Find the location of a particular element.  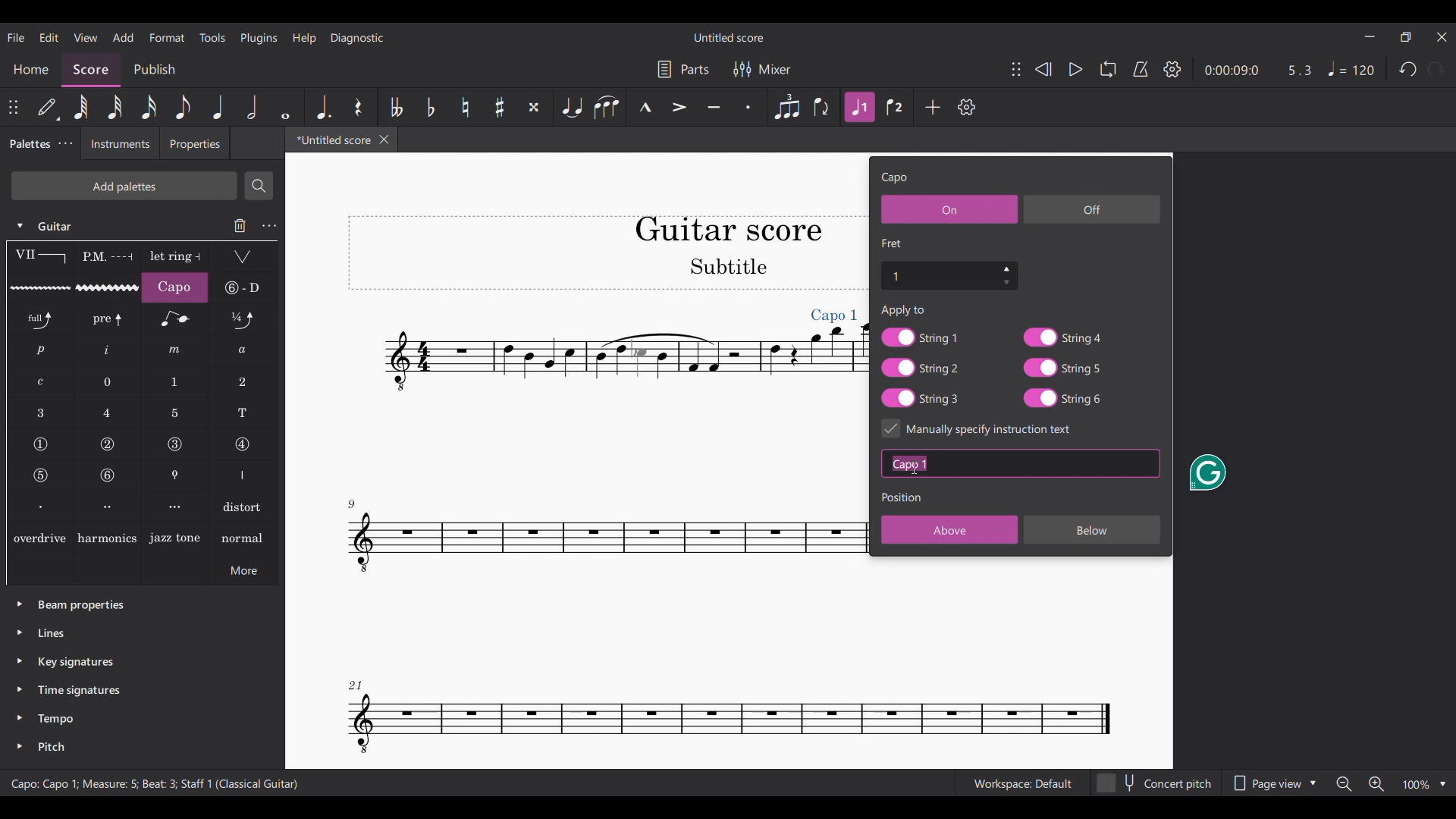

Guitar vibrato wide is located at coordinates (108, 287).